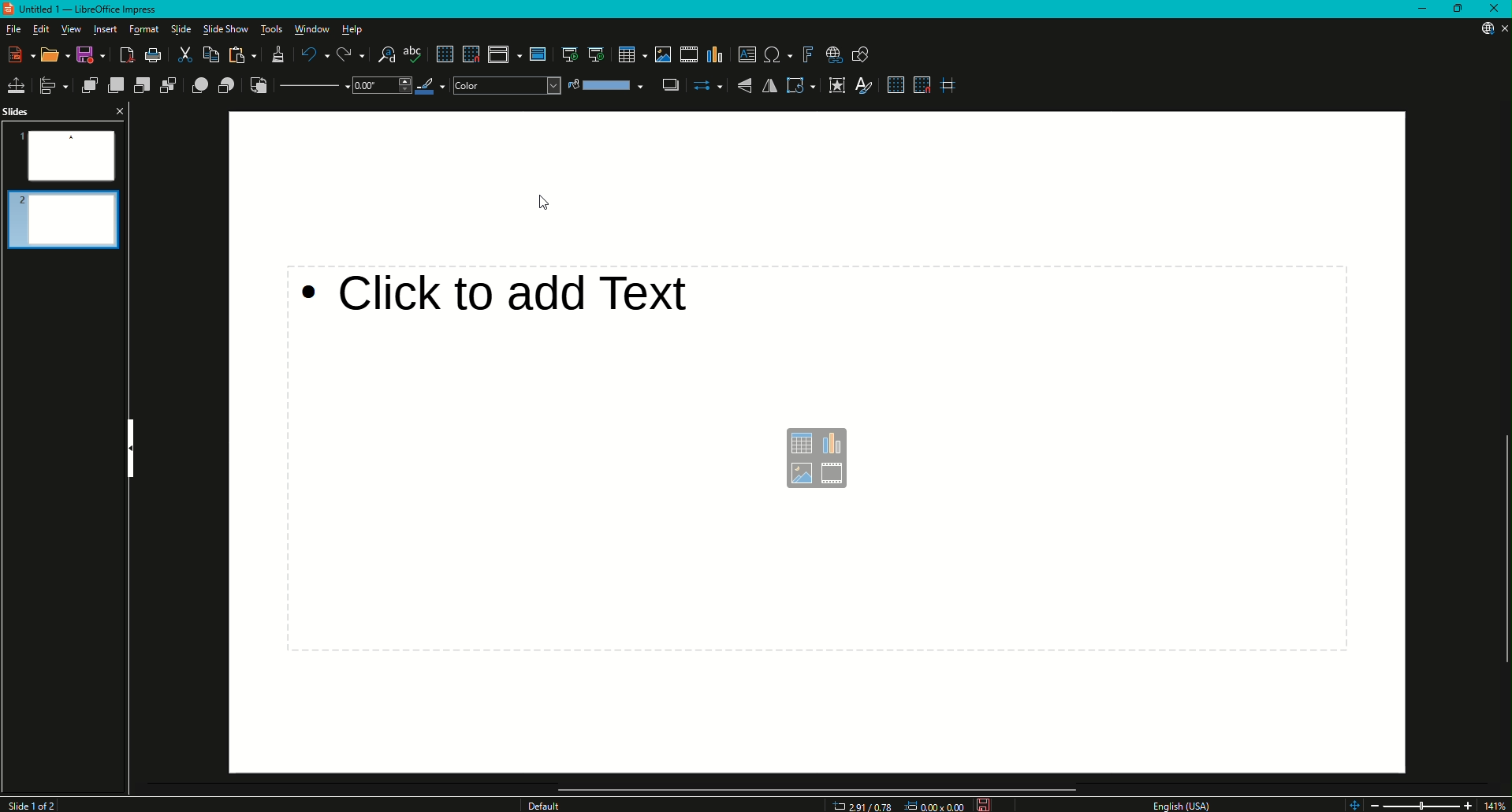  What do you see at coordinates (17, 84) in the screenshot?
I see `Position and Size` at bounding box center [17, 84].